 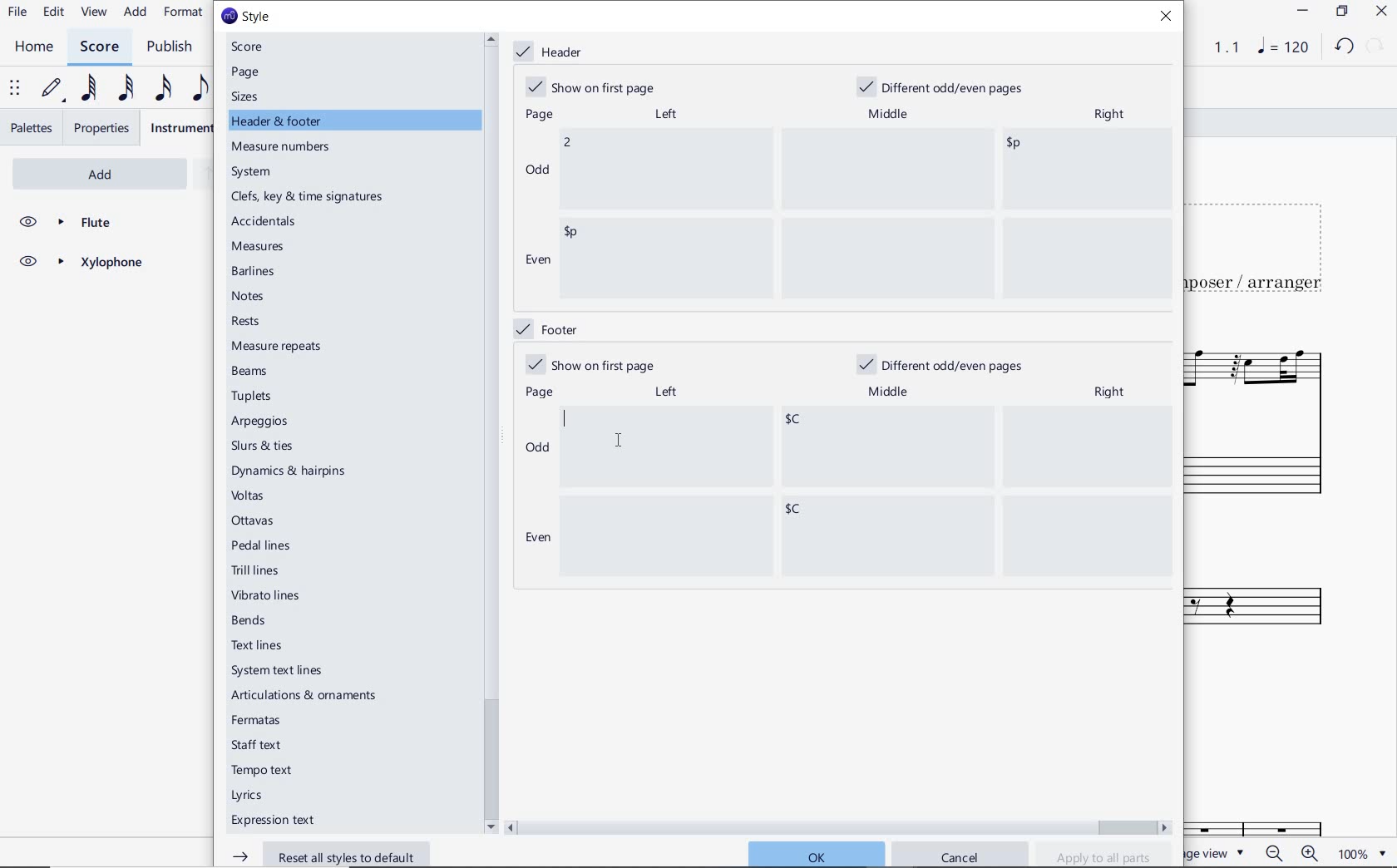 I want to click on beams, so click(x=254, y=372).